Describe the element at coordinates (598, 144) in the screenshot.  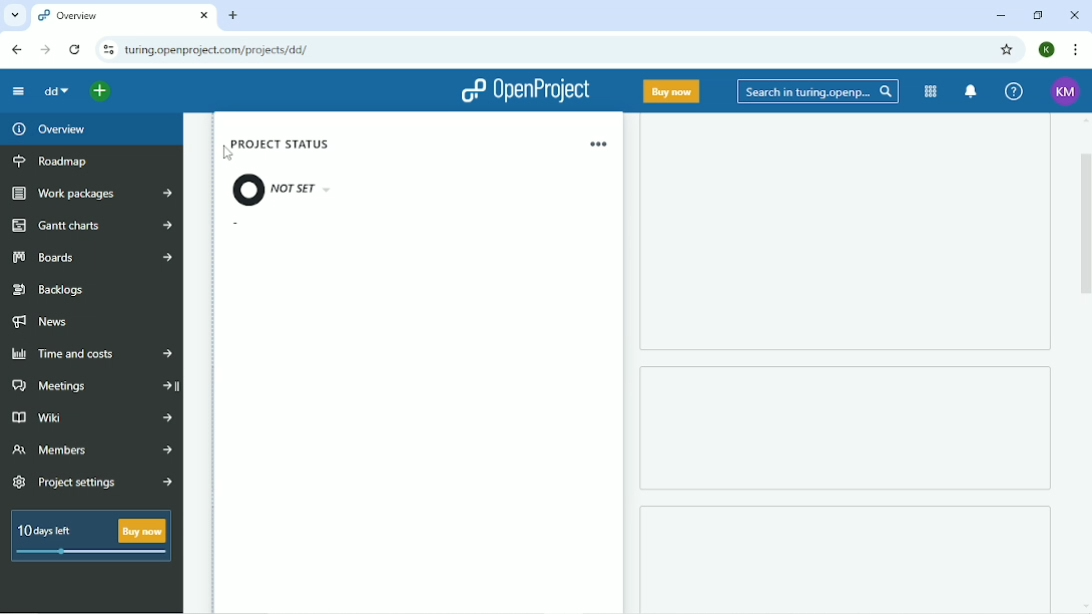
I see `Remove widget` at that location.